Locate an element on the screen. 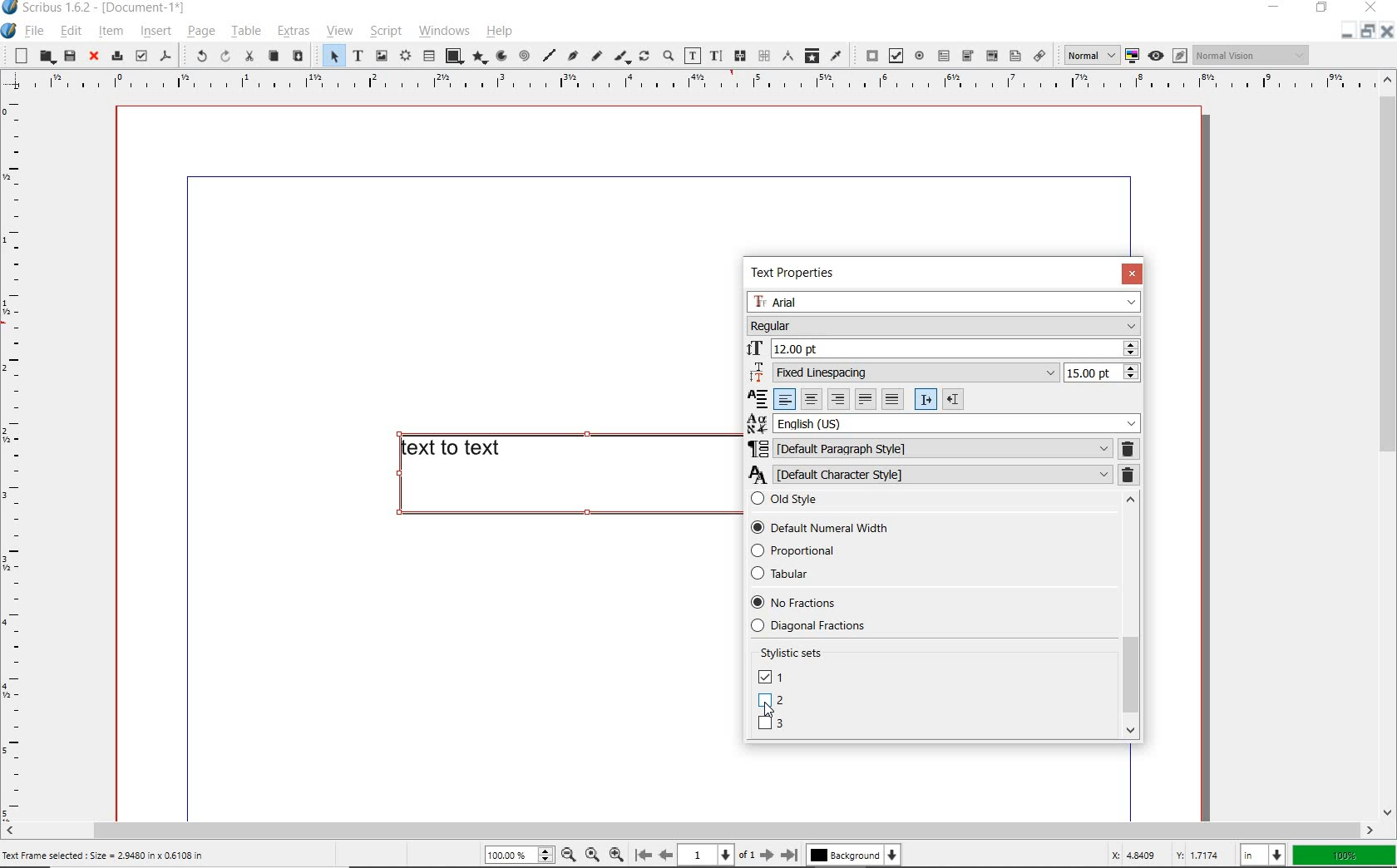 The image size is (1397, 868). Vertical page margin is located at coordinates (683, 83).